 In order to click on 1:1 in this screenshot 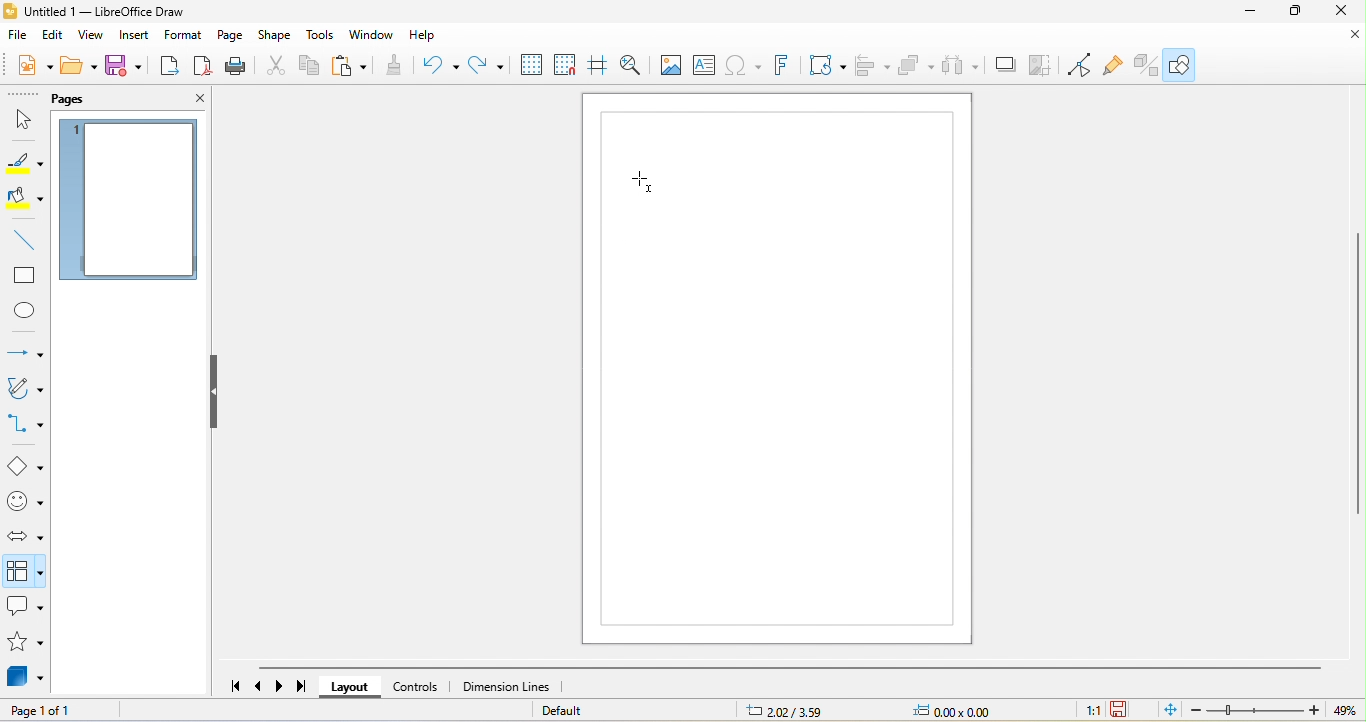, I will do `click(1092, 712)`.